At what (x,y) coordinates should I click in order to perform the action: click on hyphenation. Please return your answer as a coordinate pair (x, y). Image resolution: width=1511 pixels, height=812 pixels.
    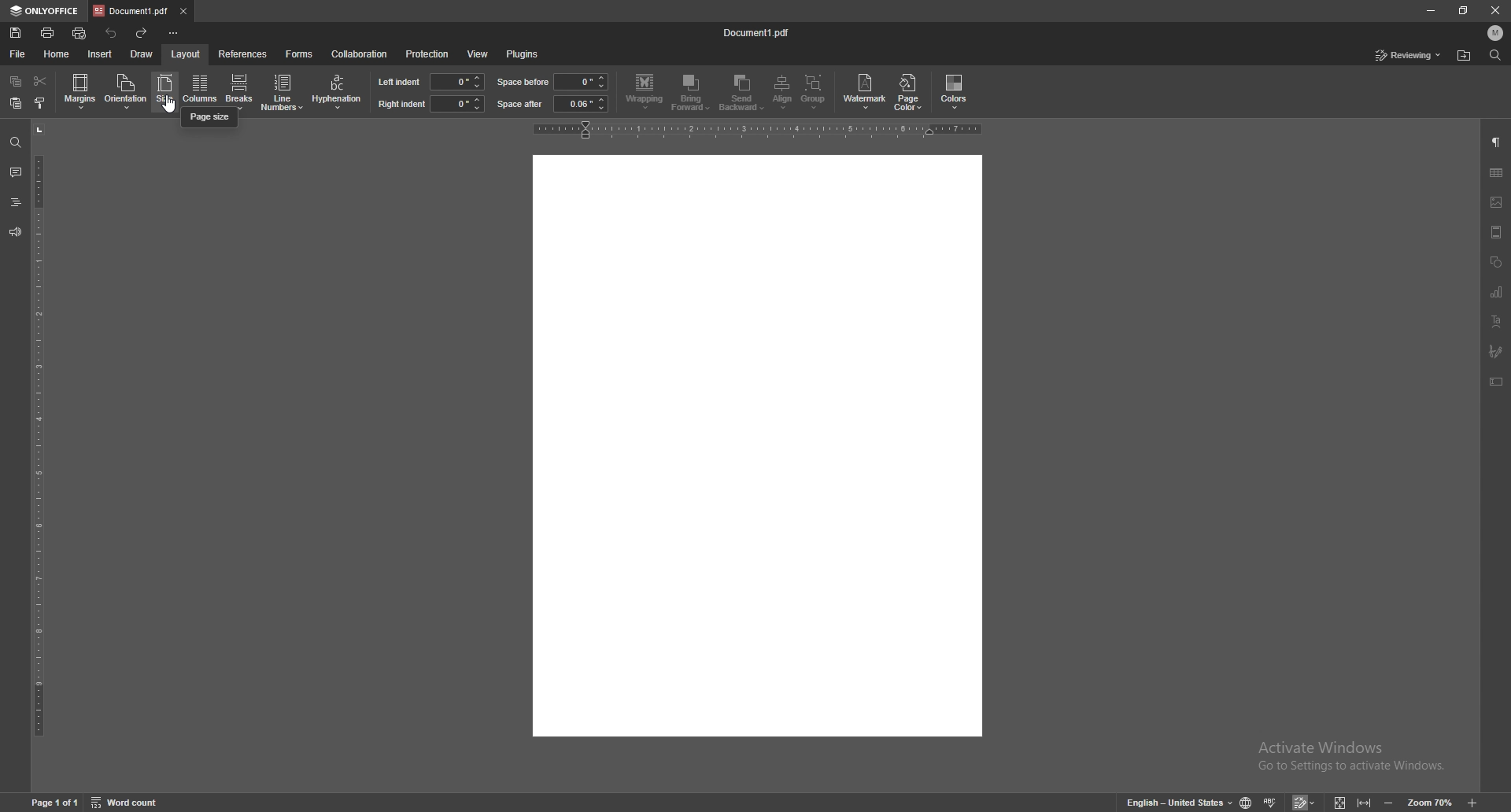
    Looking at the image, I should click on (337, 92).